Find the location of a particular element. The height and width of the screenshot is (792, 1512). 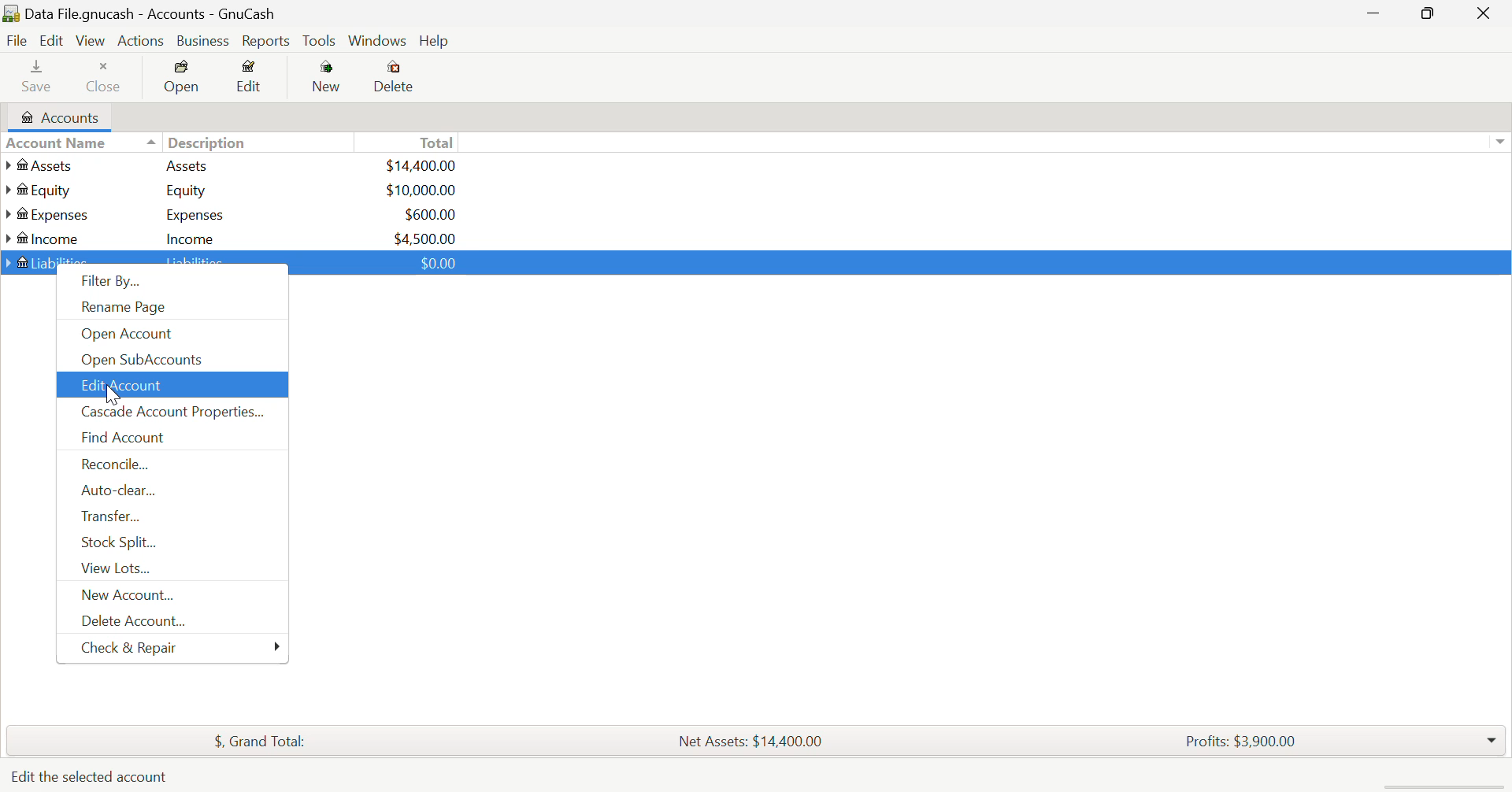

USd is located at coordinates (420, 164).